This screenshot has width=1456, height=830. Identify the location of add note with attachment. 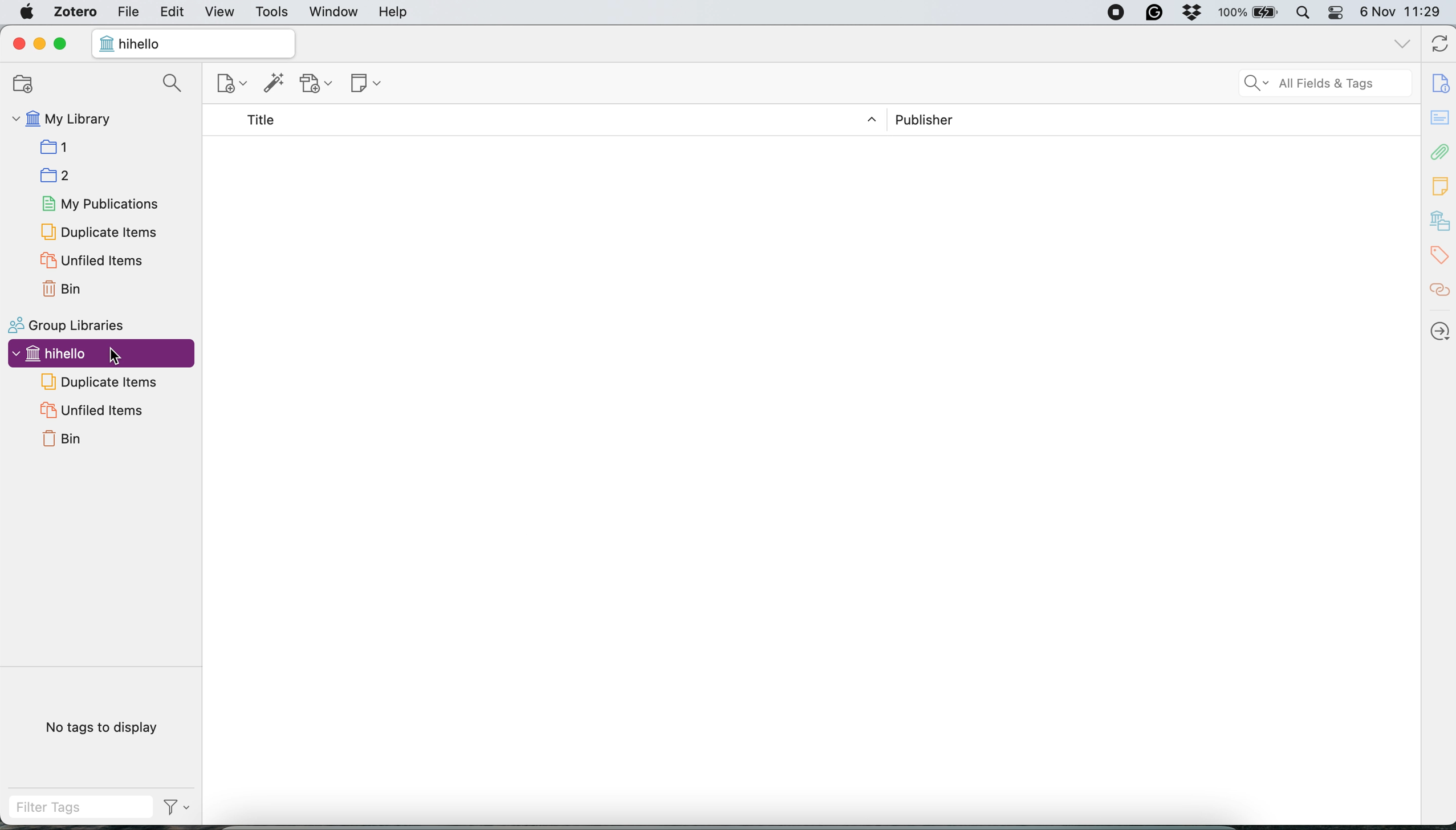
(317, 85).